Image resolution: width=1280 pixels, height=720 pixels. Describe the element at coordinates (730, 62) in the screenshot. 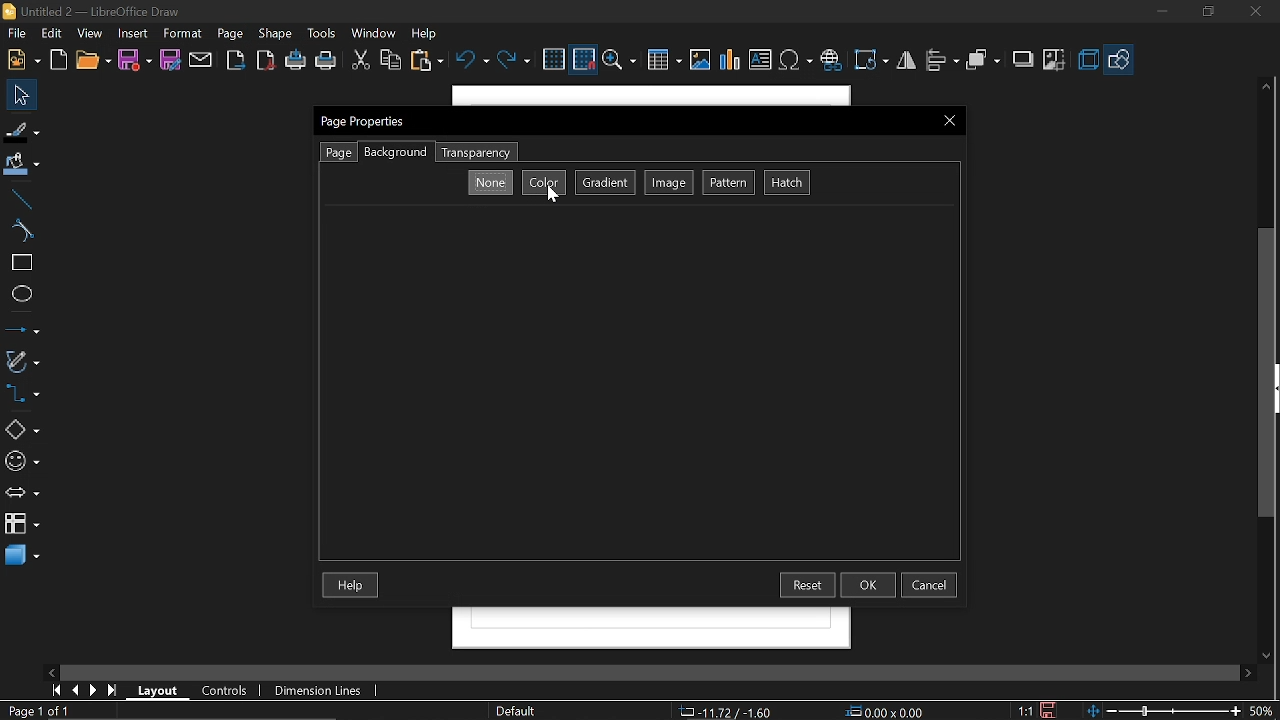

I see `Insert chart` at that location.